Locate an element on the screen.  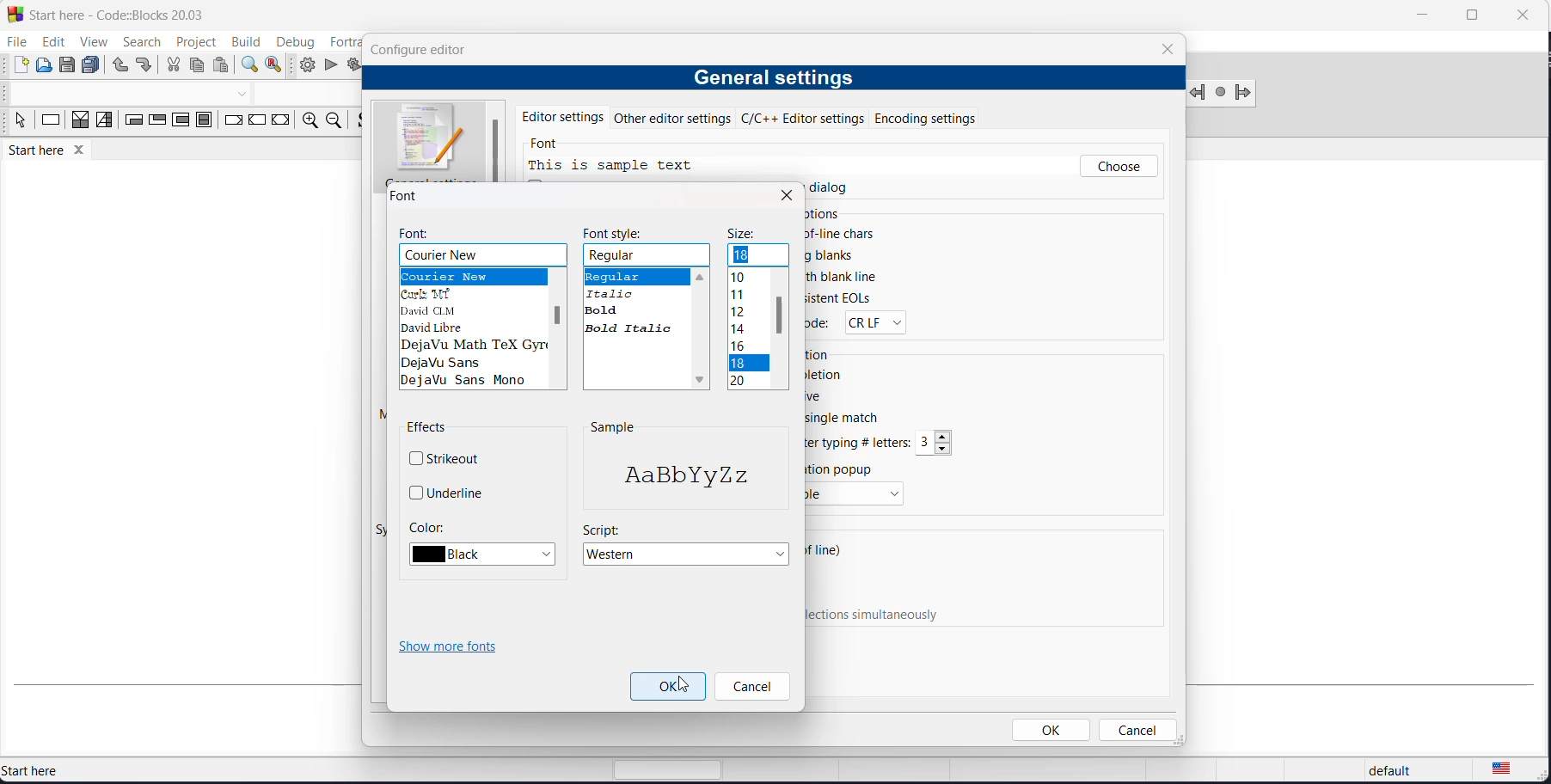
start here tab is located at coordinates (58, 153).